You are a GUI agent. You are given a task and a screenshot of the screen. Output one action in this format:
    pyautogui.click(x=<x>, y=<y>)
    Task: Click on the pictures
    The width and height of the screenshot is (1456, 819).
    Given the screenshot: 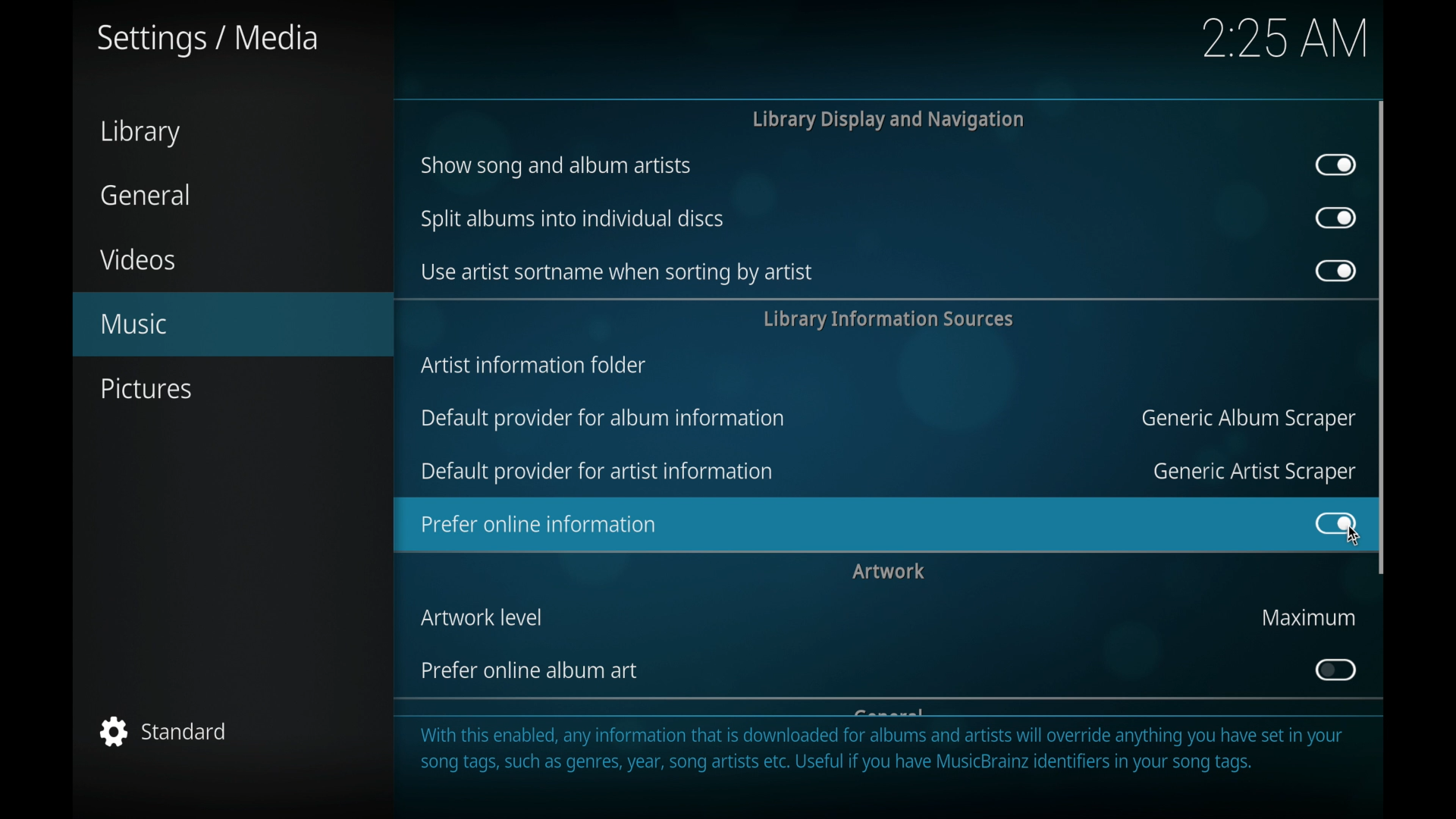 What is the action you would take?
    pyautogui.click(x=149, y=389)
    